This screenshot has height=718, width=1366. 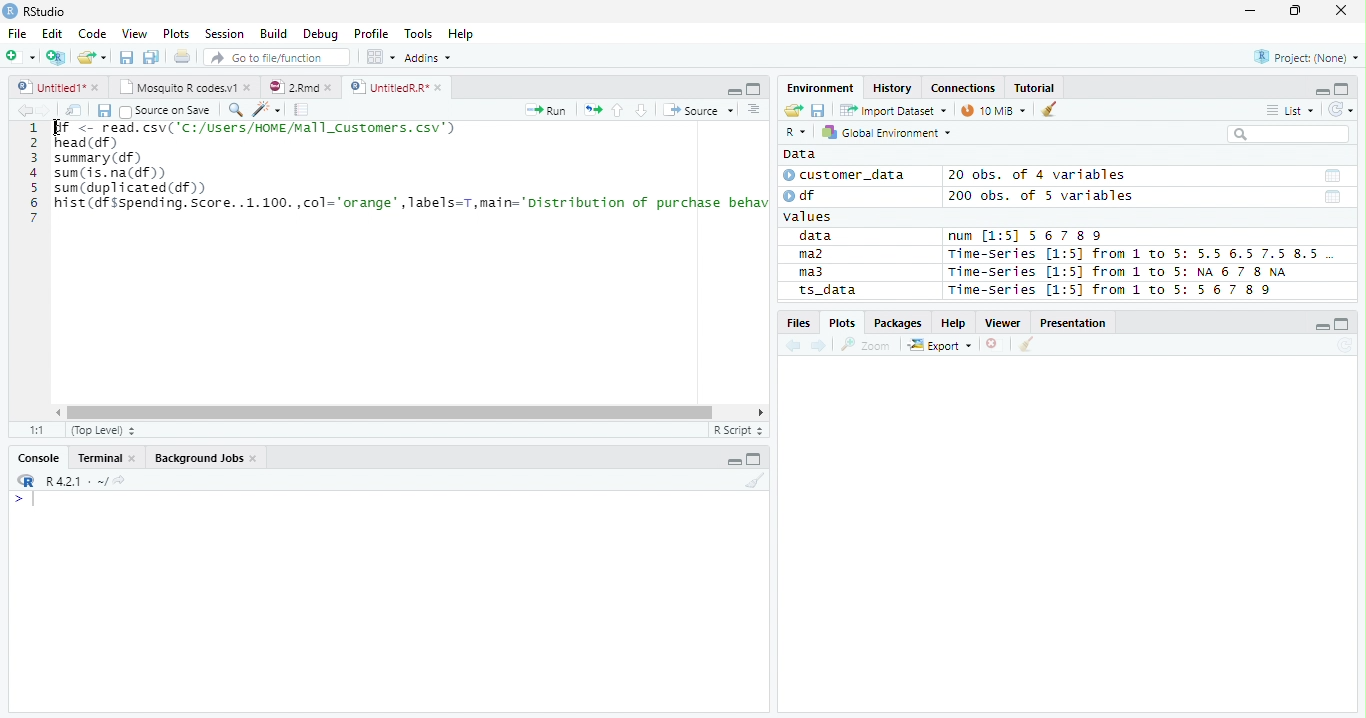 I want to click on Restore Down, so click(x=1298, y=11).